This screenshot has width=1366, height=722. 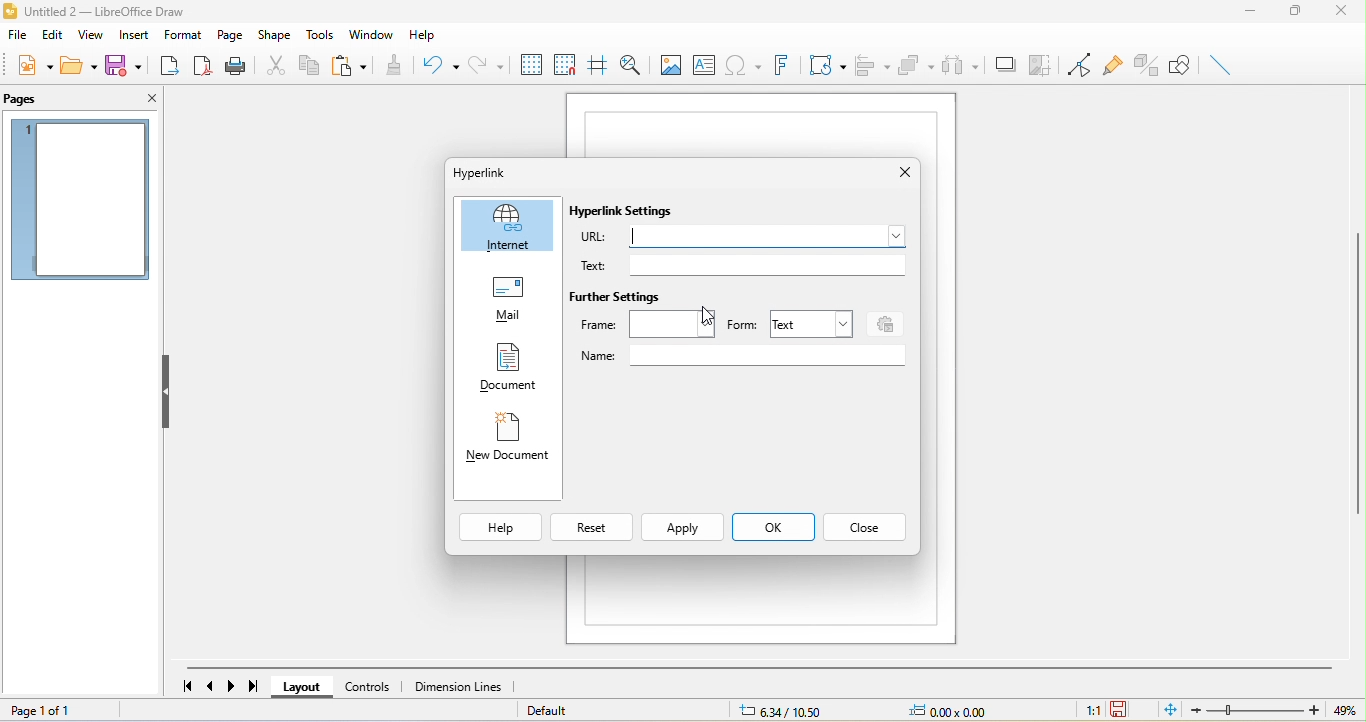 I want to click on close, so click(x=147, y=97).